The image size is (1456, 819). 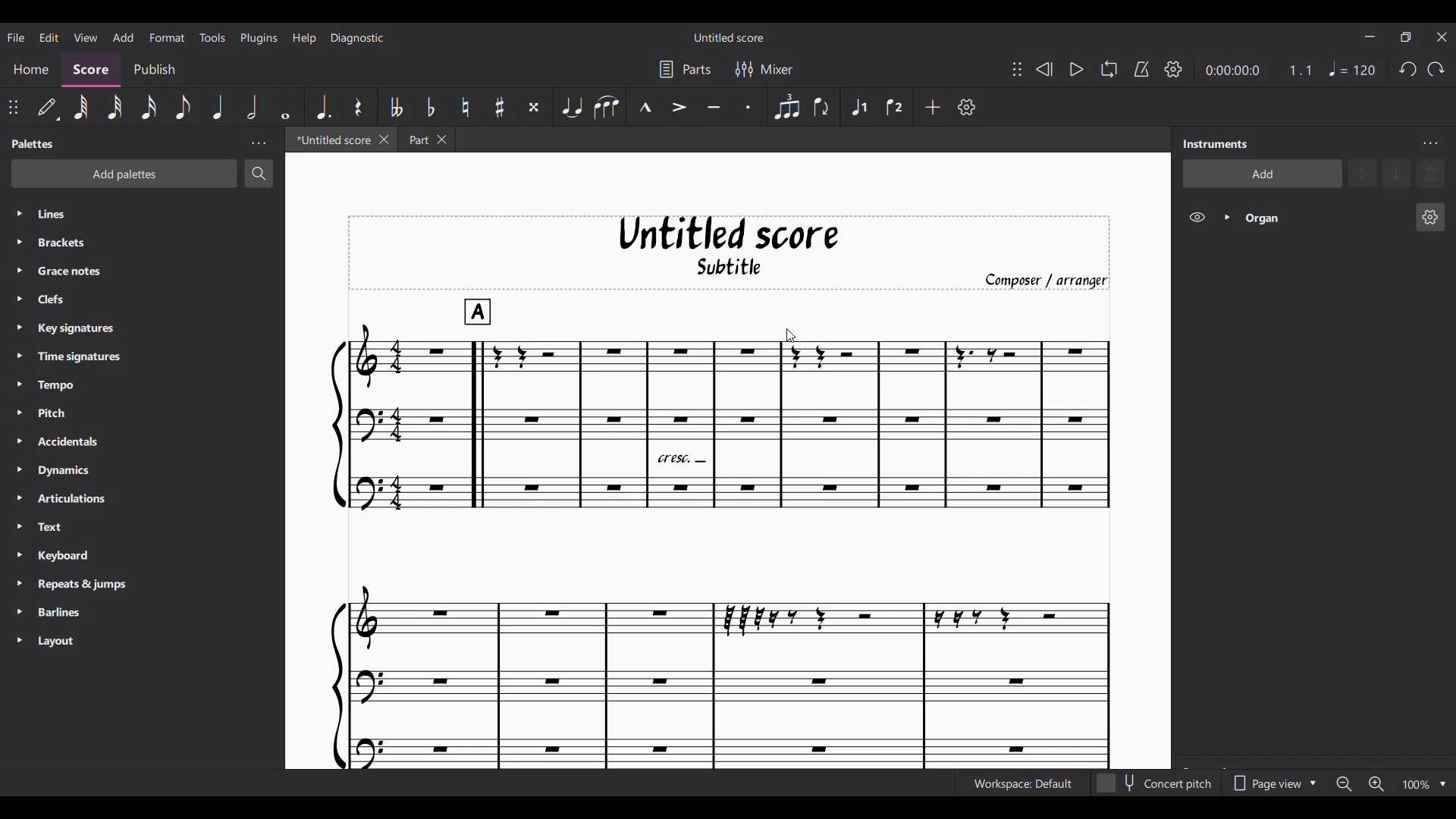 What do you see at coordinates (1018, 69) in the screenshot?
I see `Change position of toolbar attached` at bounding box center [1018, 69].